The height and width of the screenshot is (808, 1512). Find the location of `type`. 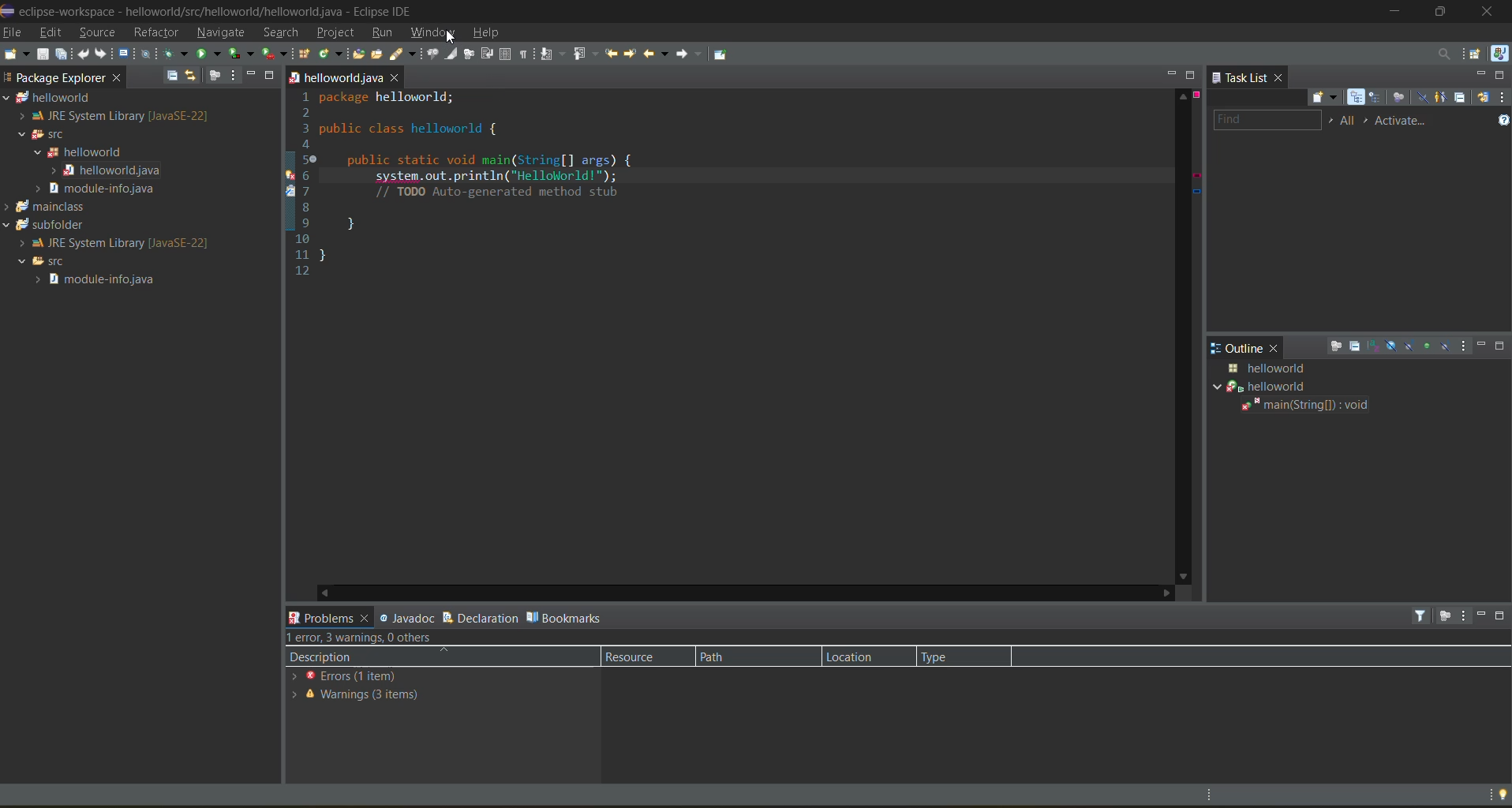

type is located at coordinates (961, 659).